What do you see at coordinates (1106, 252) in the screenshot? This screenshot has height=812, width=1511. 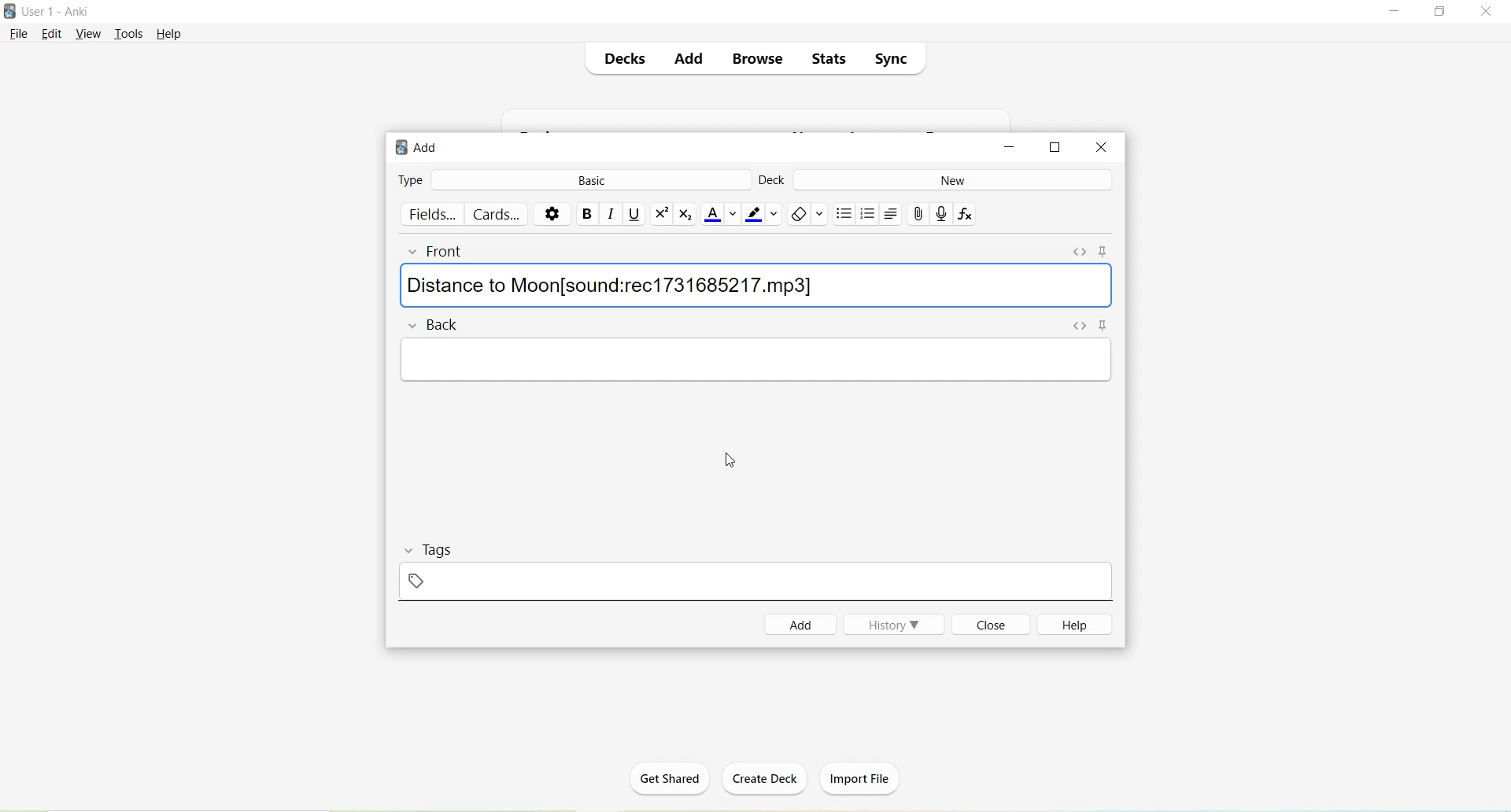 I see `Toggle sticky` at bounding box center [1106, 252].